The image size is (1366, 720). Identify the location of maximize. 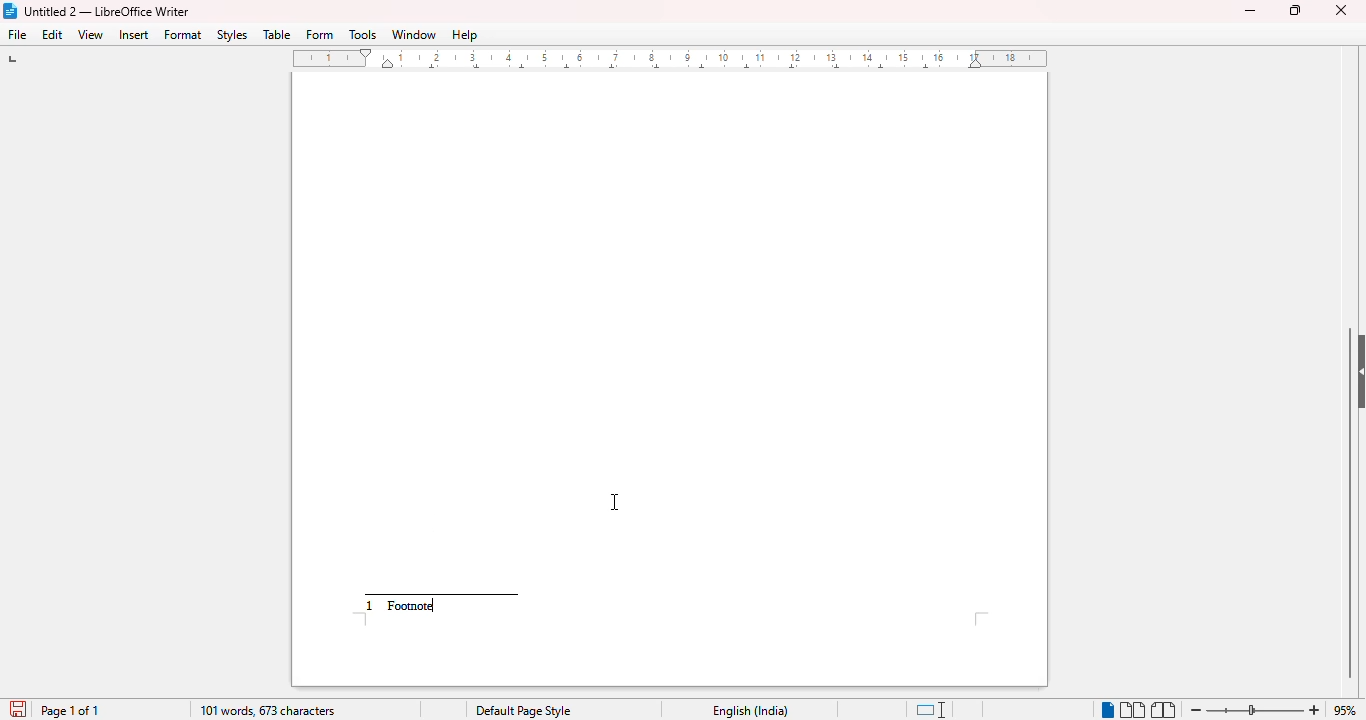
(1295, 10).